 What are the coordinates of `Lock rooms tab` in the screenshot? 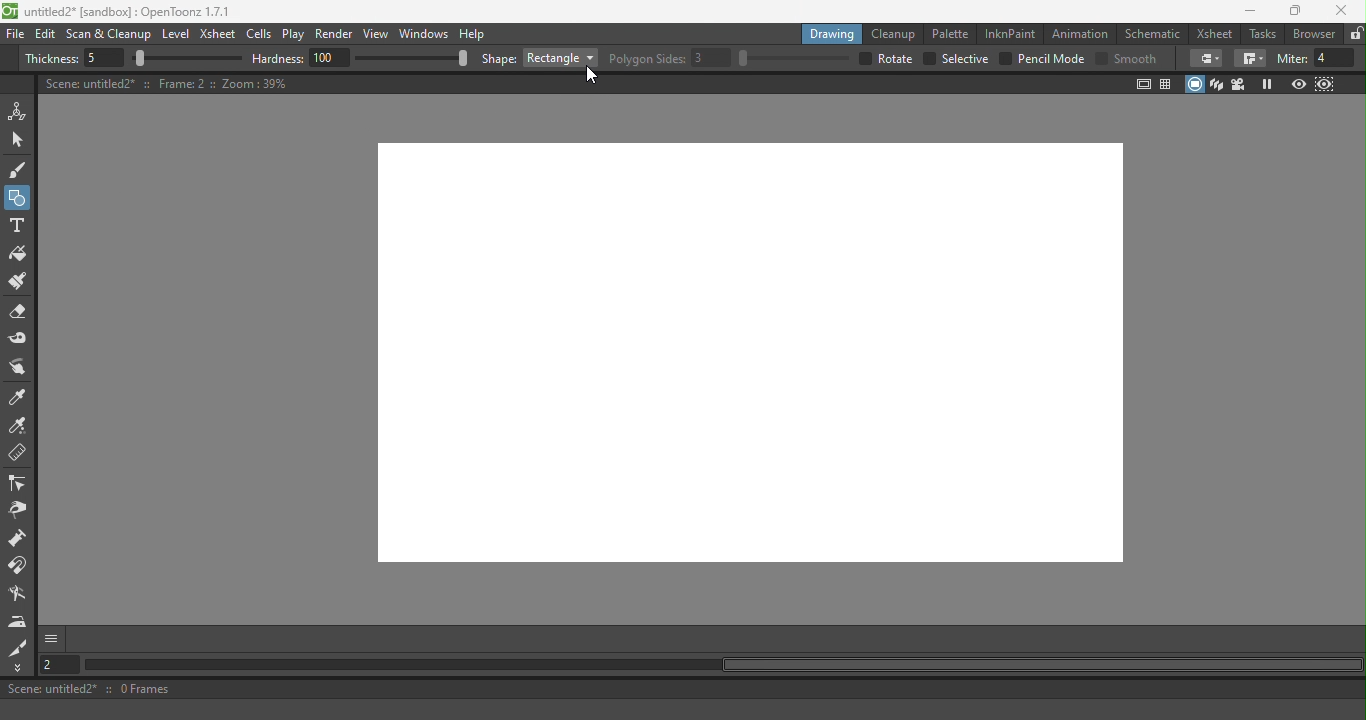 It's located at (1356, 34).